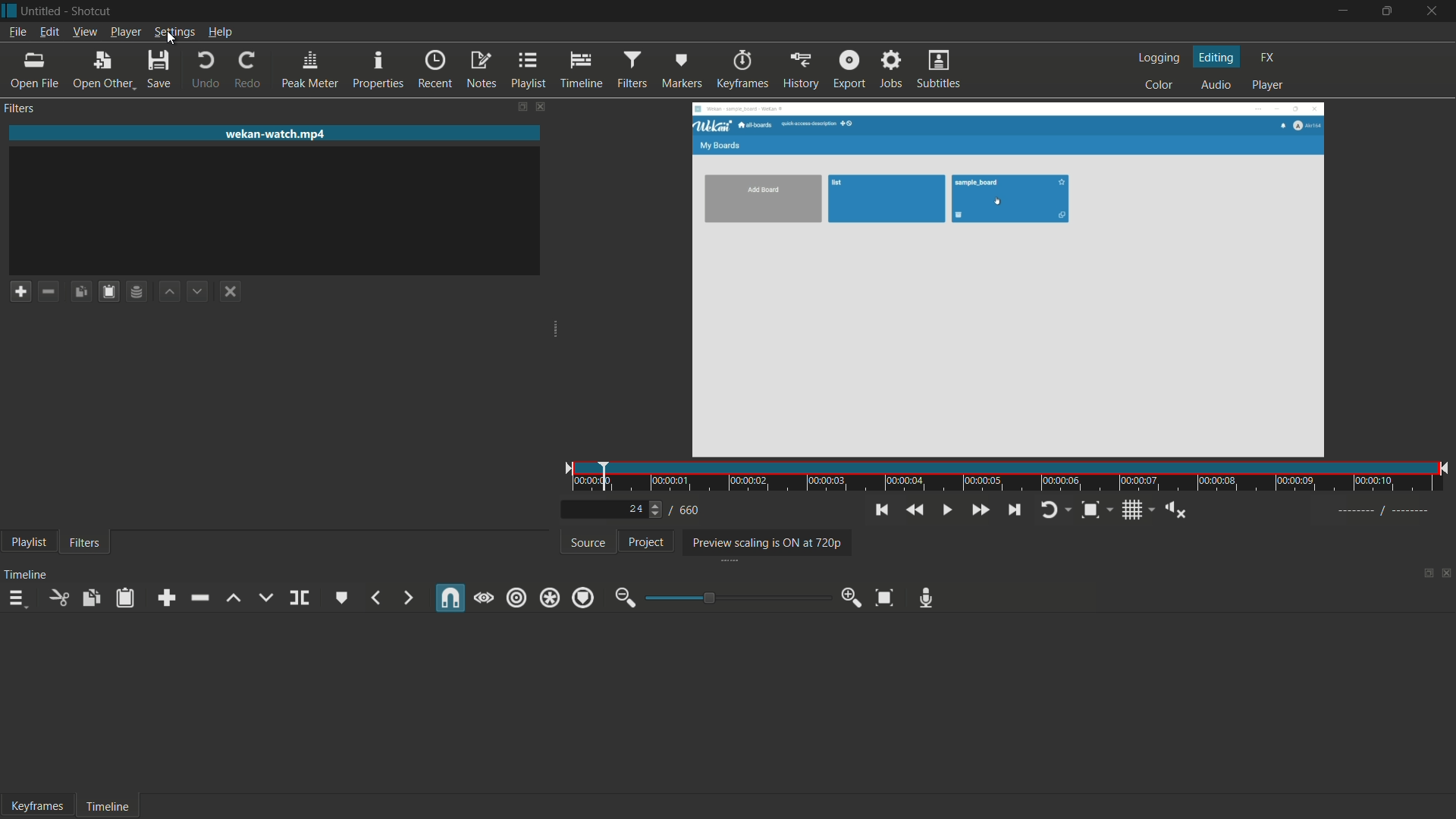 The height and width of the screenshot is (819, 1456). What do you see at coordinates (379, 69) in the screenshot?
I see `properties` at bounding box center [379, 69].